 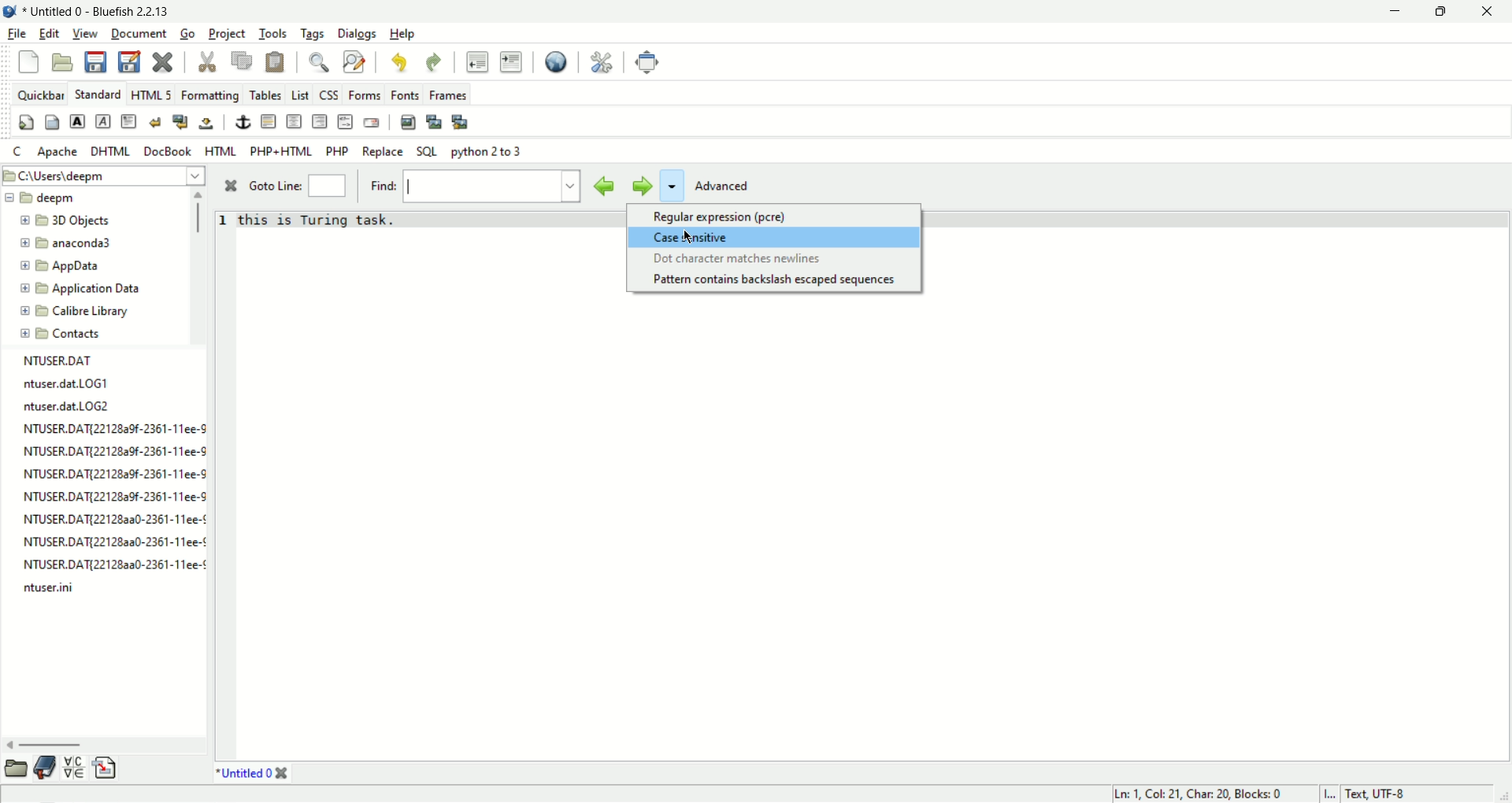 I want to click on insert thumbnail, so click(x=435, y=121).